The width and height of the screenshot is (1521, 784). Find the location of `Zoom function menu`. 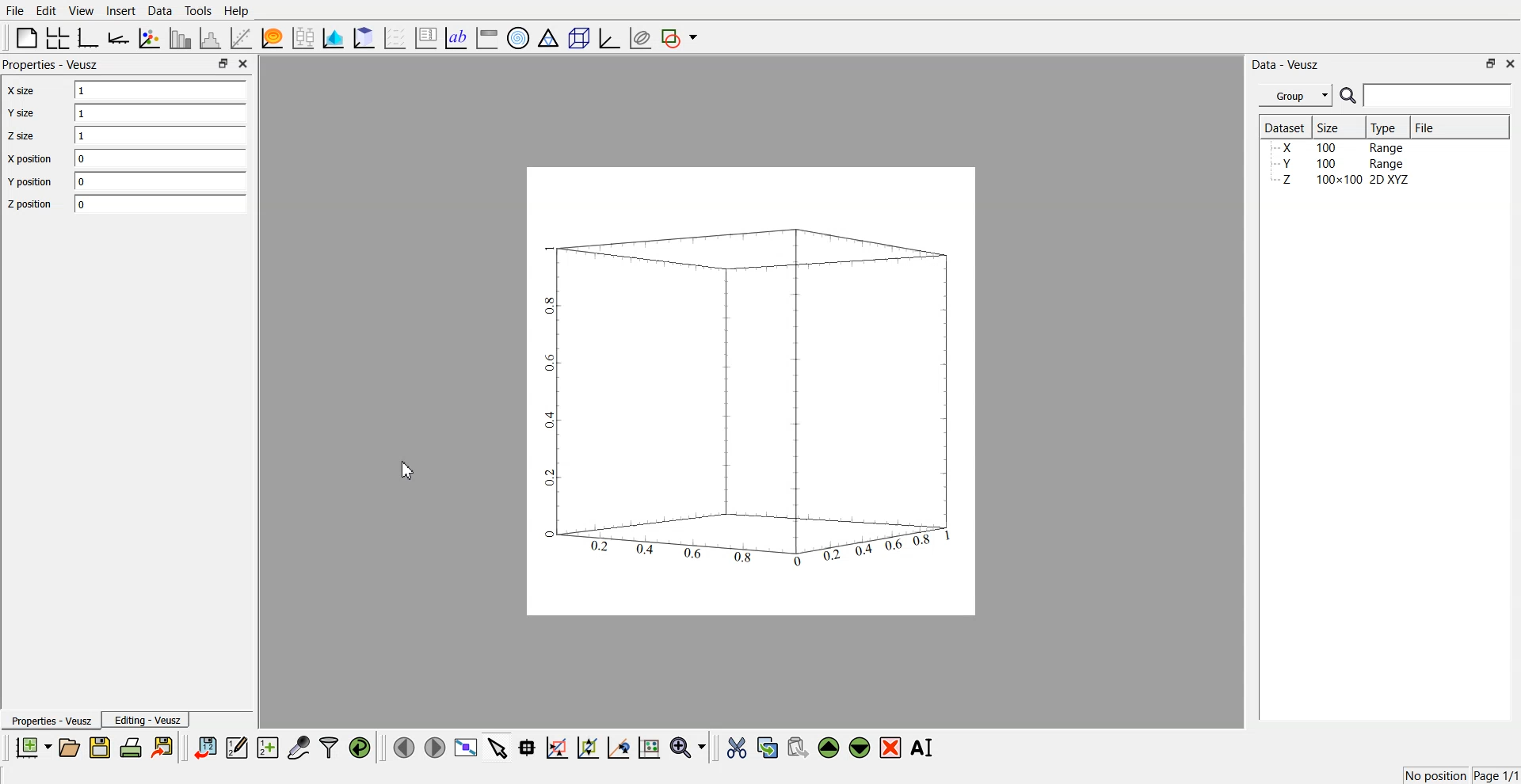

Zoom function menu is located at coordinates (690, 747).